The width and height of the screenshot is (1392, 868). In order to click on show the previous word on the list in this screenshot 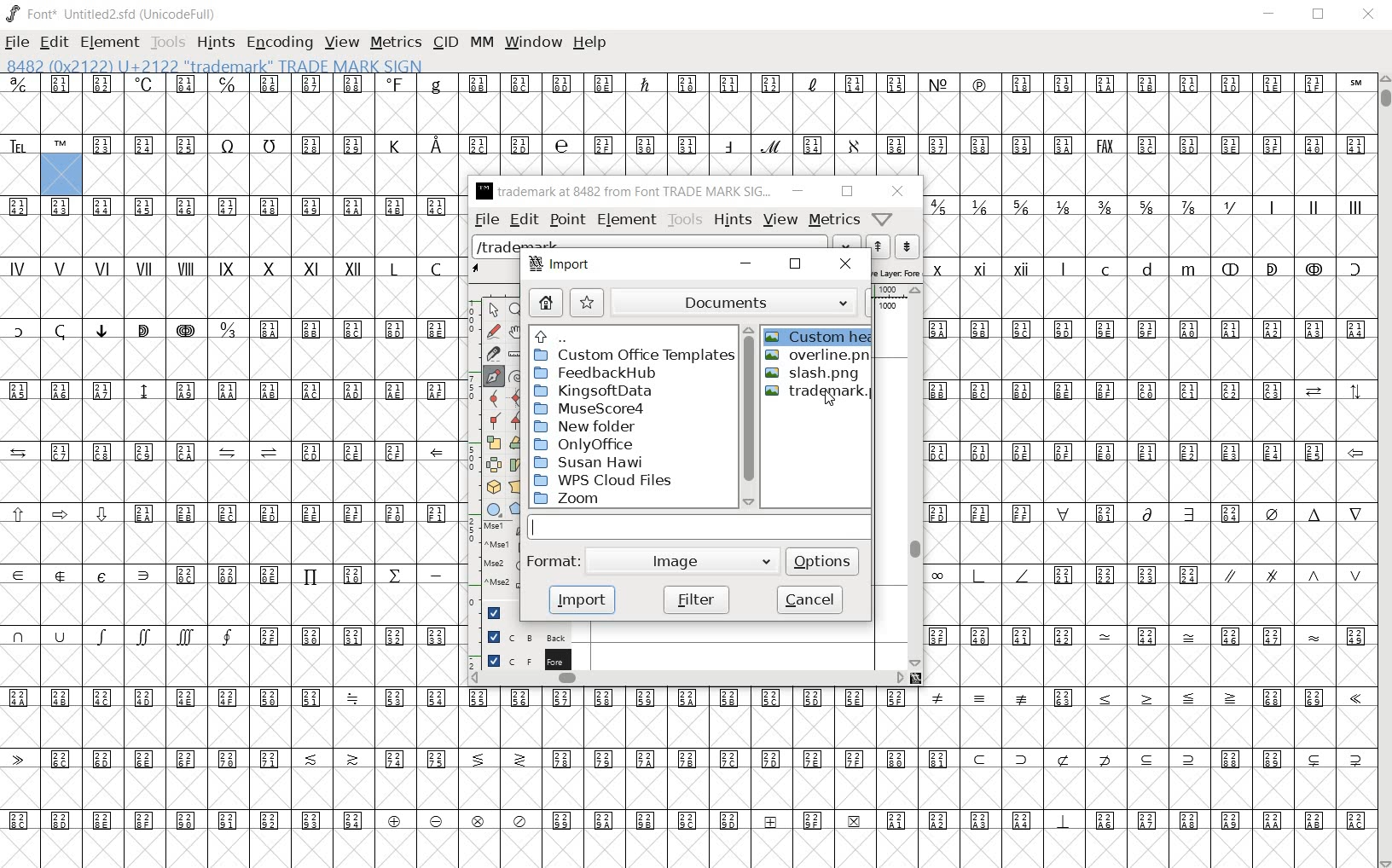, I will do `click(906, 246)`.